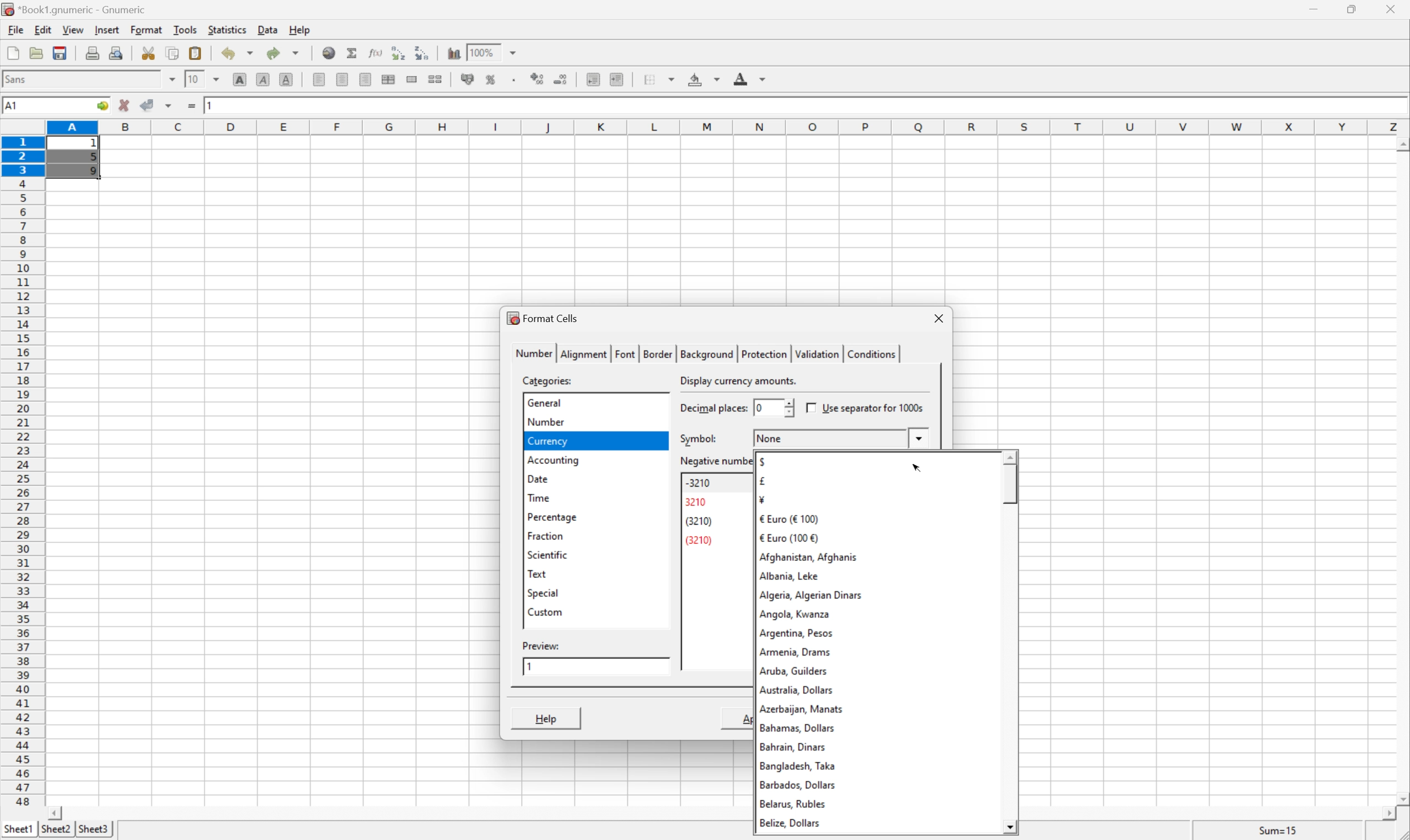 The height and width of the screenshot is (840, 1410). Describe the element at coordinates (264, 78) in the screenshot. I see `italic` at that location.